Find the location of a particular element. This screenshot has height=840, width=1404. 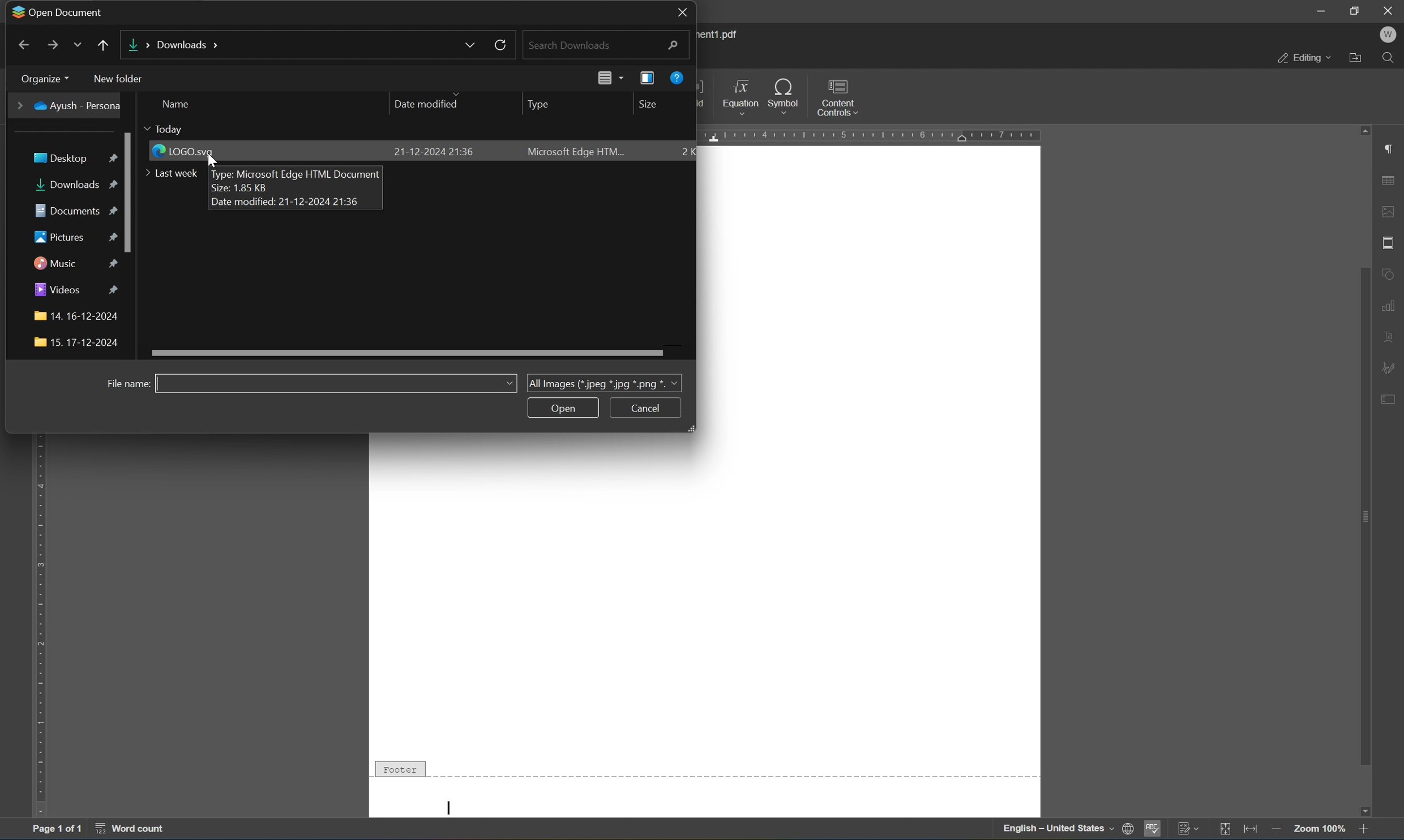

filename is located at coordinates (128, 383).